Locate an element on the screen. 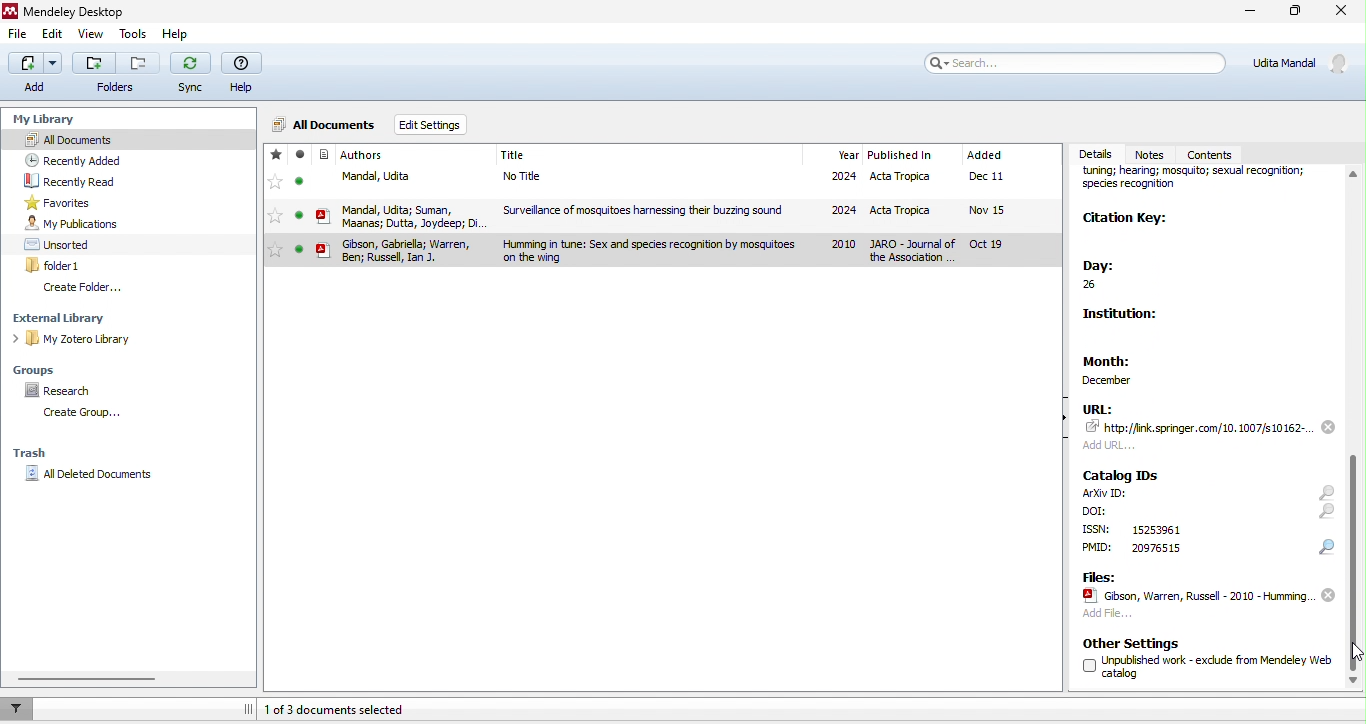 The width and height of the screenshot is (1366, 724). icon is located at coordinates (324, 187).